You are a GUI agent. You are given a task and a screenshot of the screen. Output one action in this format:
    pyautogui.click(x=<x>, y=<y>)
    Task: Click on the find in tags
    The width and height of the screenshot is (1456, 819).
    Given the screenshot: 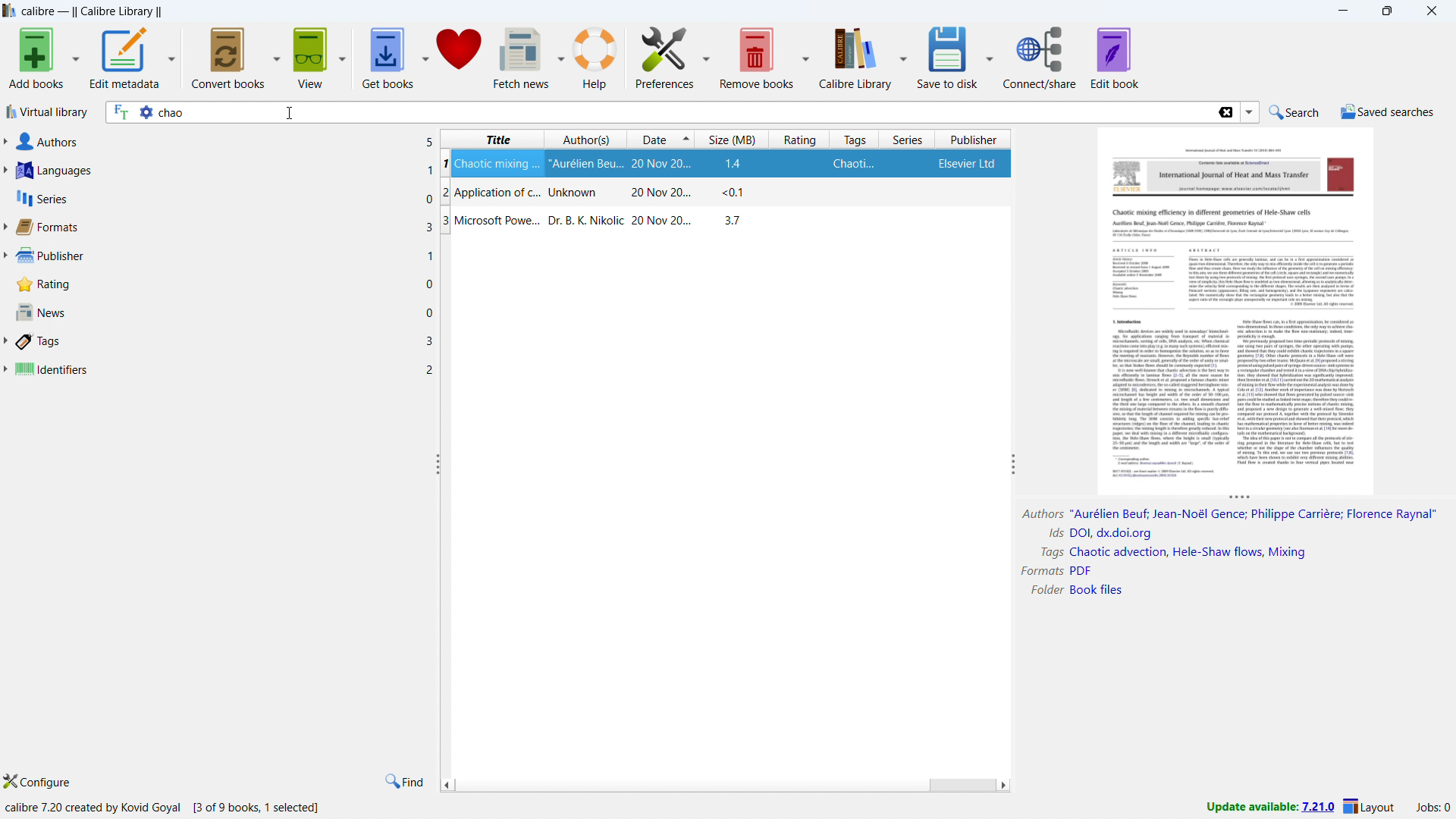 What is the action you would take?
    pyautogui.click(x=406, y=782)
    